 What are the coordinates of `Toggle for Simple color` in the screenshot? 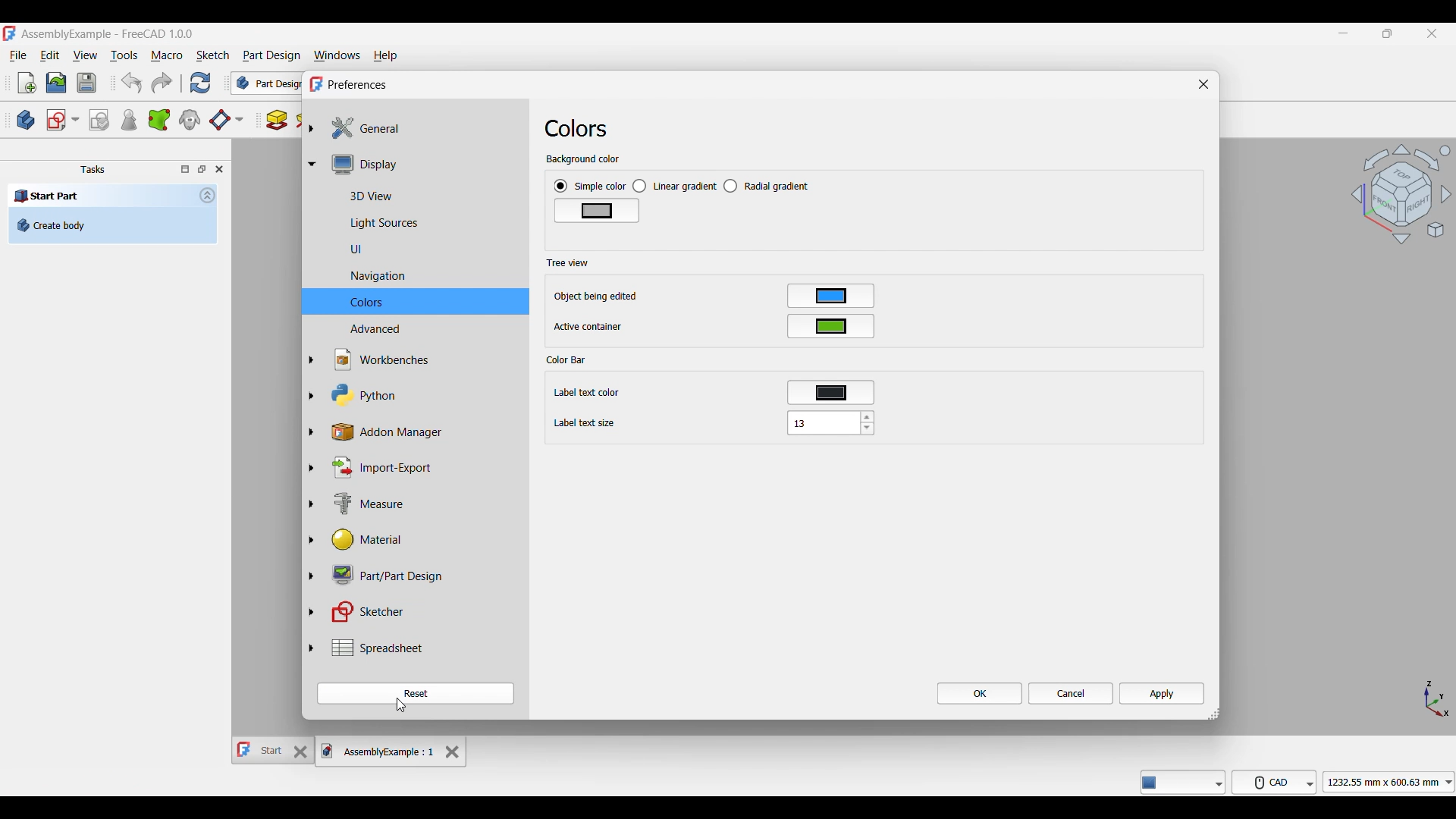 It's located at (590, 186).